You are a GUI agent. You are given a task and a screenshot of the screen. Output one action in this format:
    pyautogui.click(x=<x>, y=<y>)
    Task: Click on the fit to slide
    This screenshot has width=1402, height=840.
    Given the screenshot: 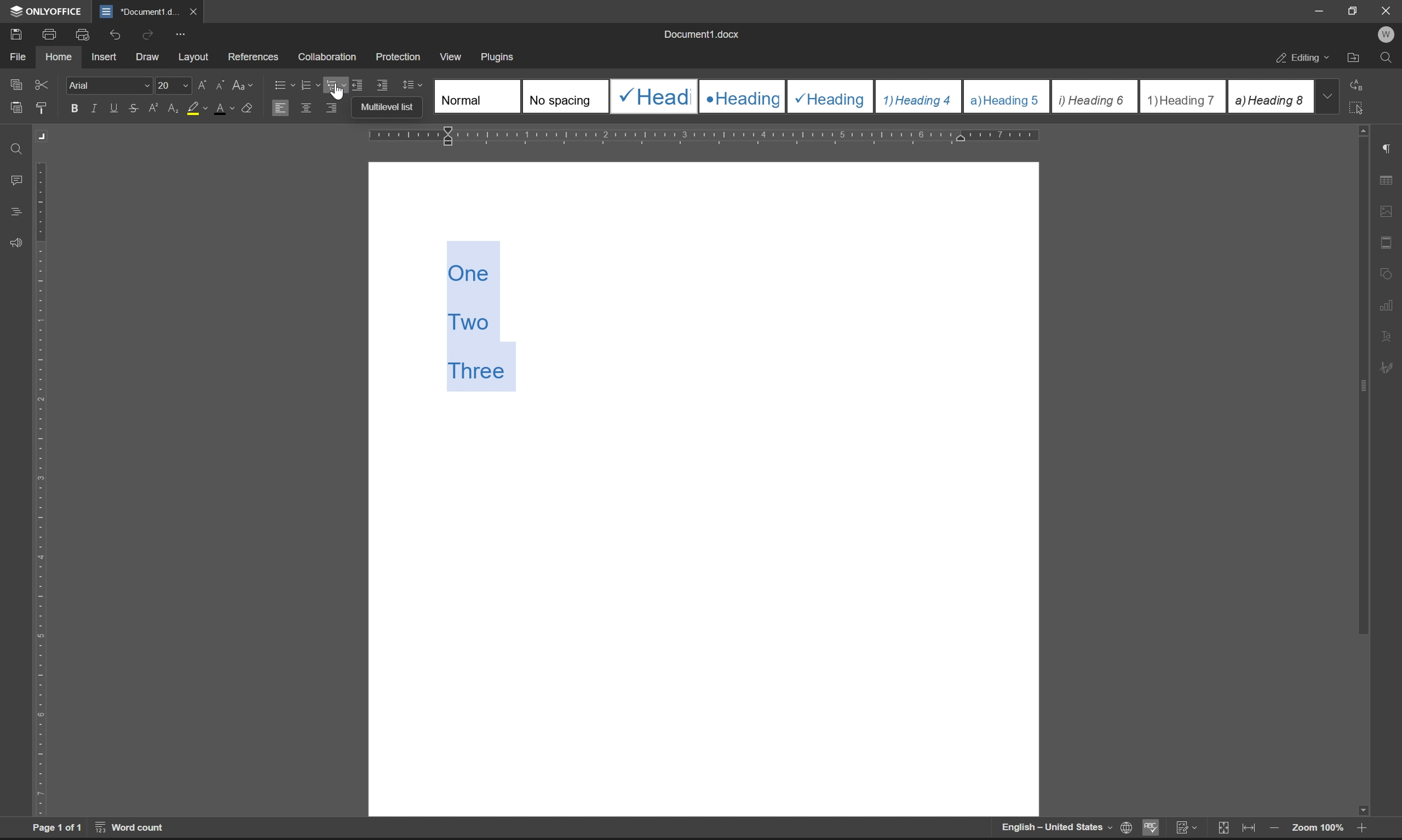 What is the action you would take?
    pyautogui.click(x=1223, y=829)
    